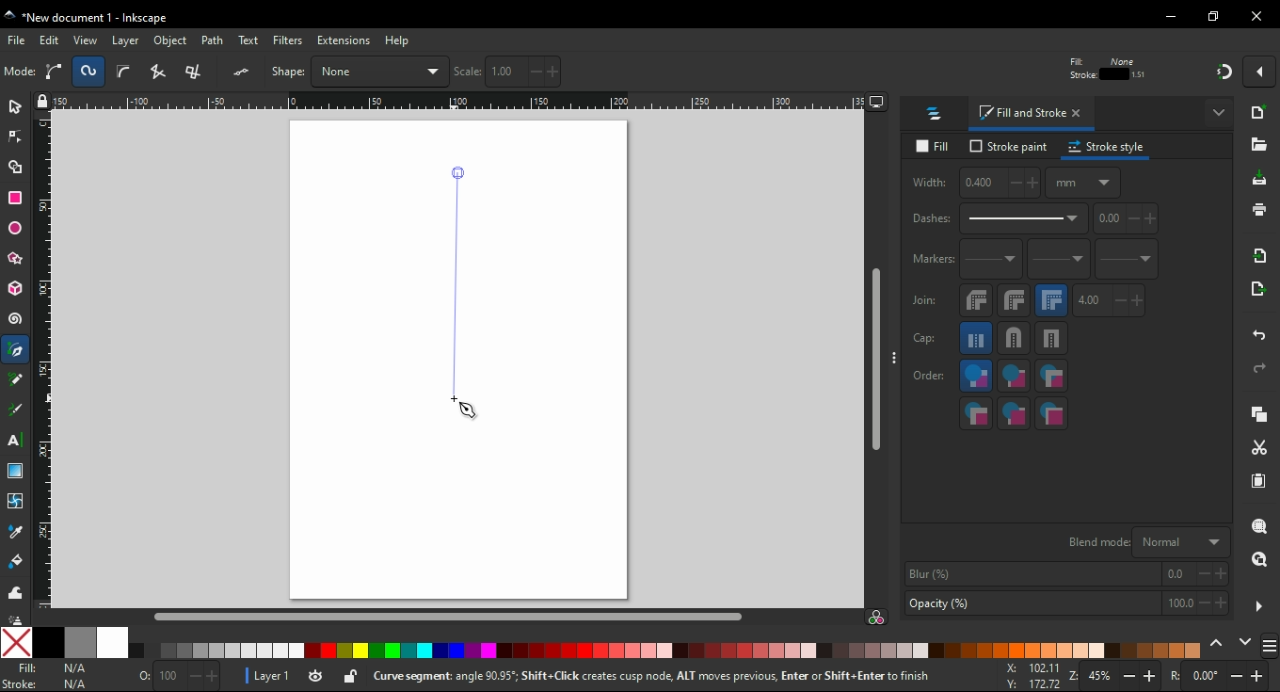  I want to click on dashes, so click(998, 219).